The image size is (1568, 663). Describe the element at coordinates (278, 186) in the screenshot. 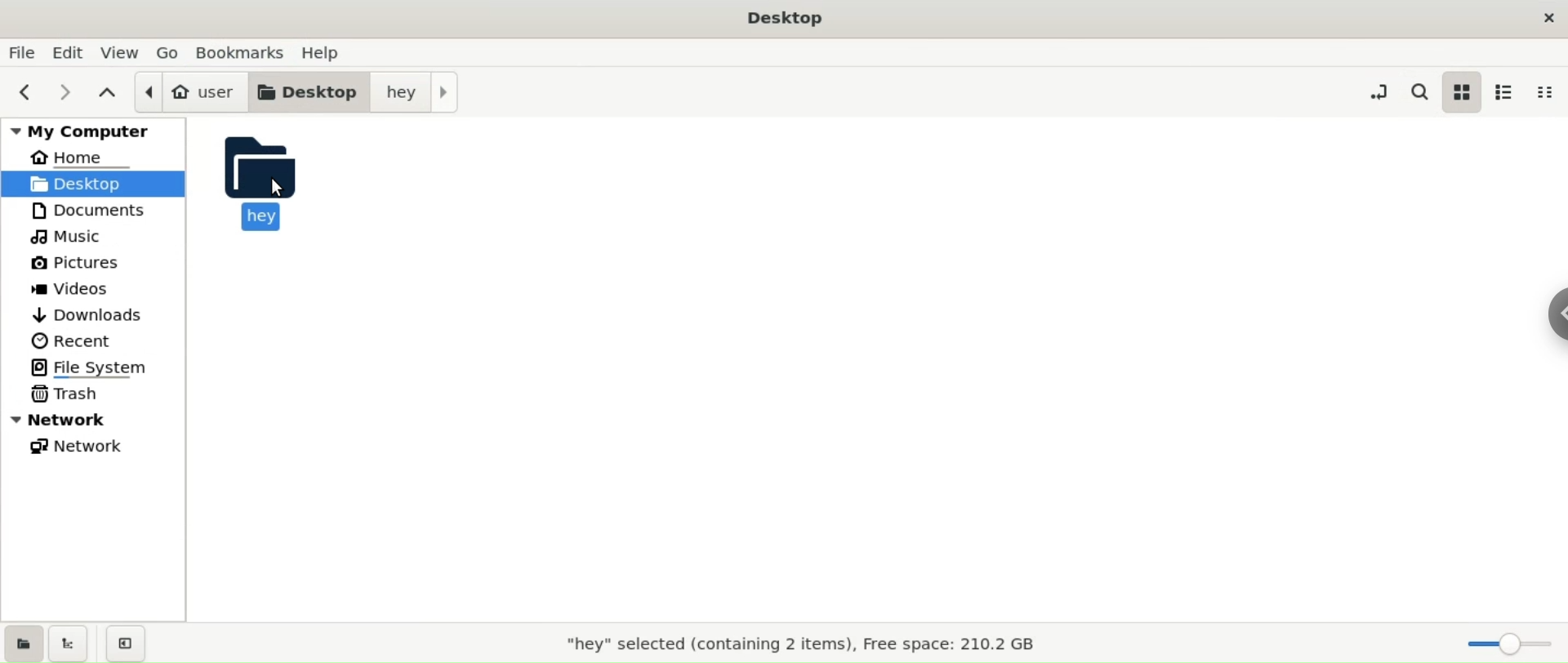

I see `CURSOR` at that location.